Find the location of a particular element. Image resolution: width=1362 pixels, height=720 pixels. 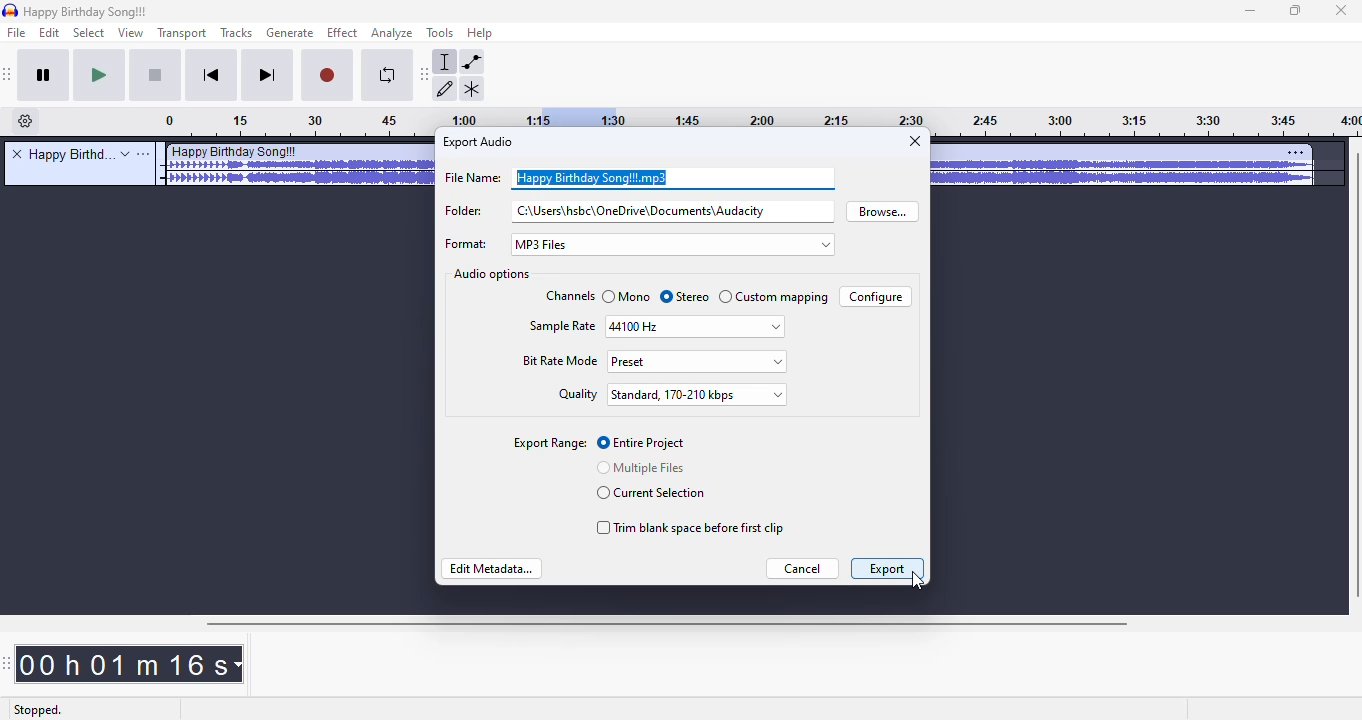

draw tool is located at coordinates (449, 91).